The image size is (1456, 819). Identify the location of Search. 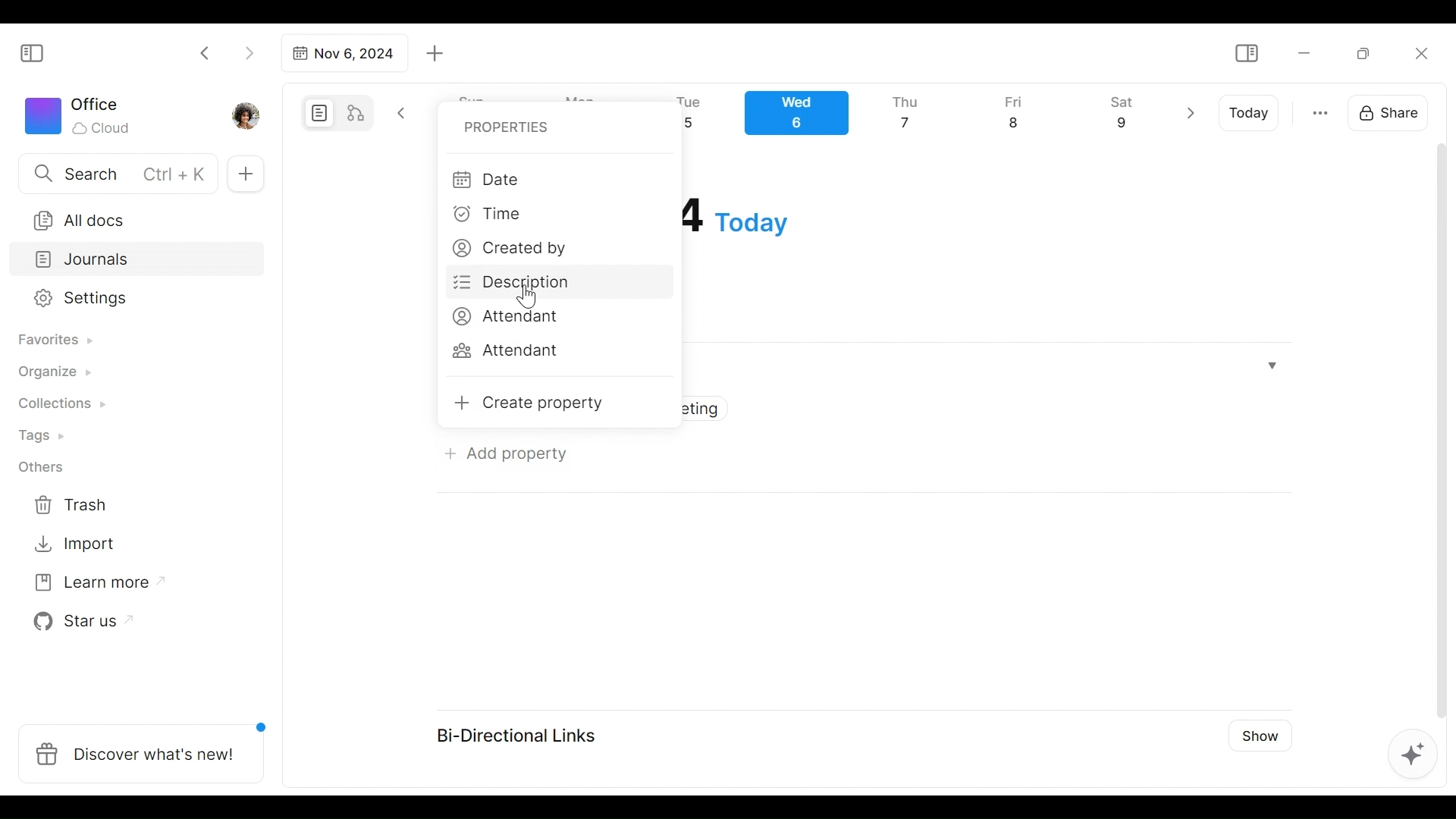
(116, 173).